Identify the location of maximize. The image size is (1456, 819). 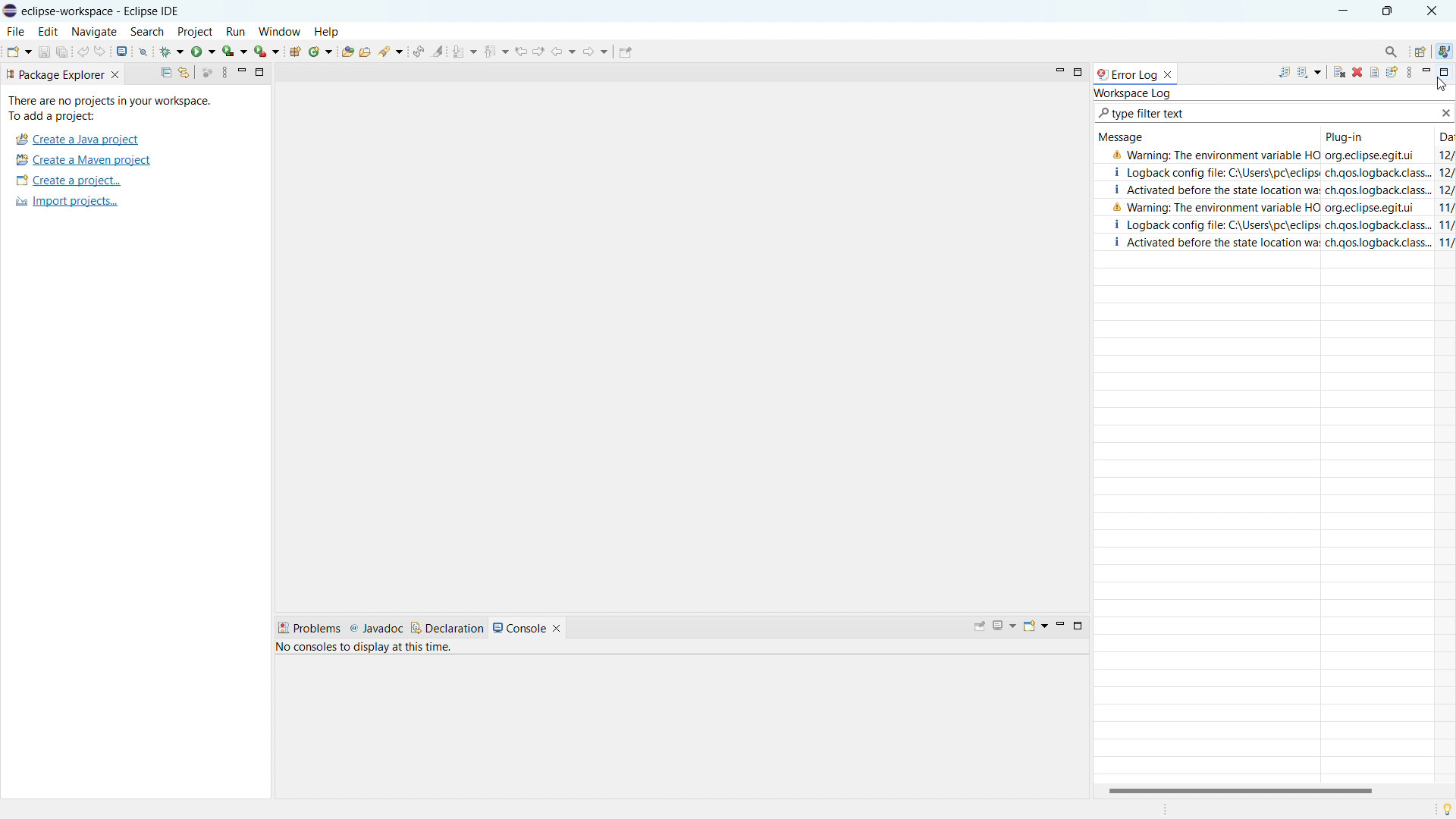
(1443, 72).